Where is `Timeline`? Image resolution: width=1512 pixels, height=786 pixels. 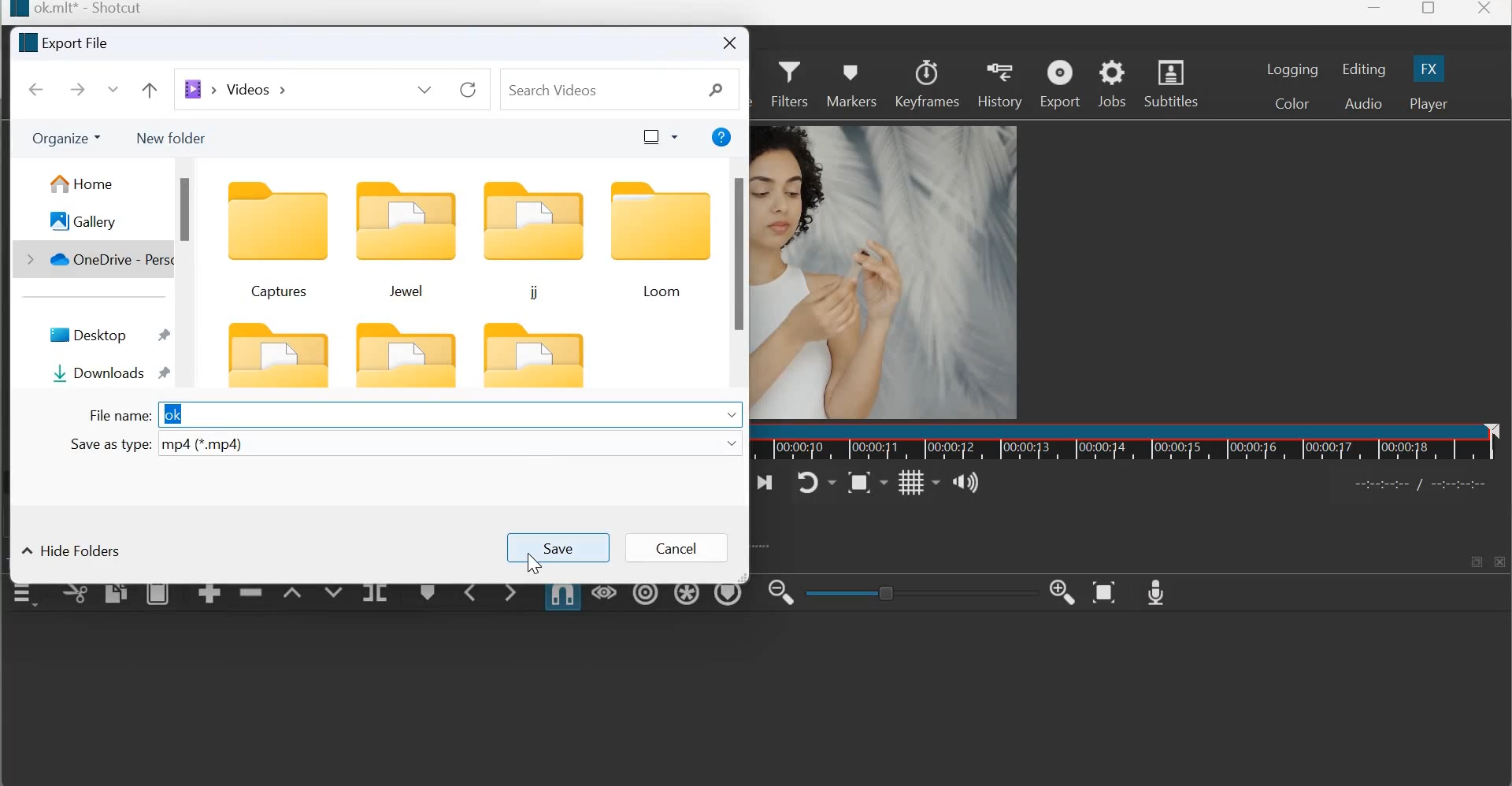
Timeline is located at coordinates (1136, 446).